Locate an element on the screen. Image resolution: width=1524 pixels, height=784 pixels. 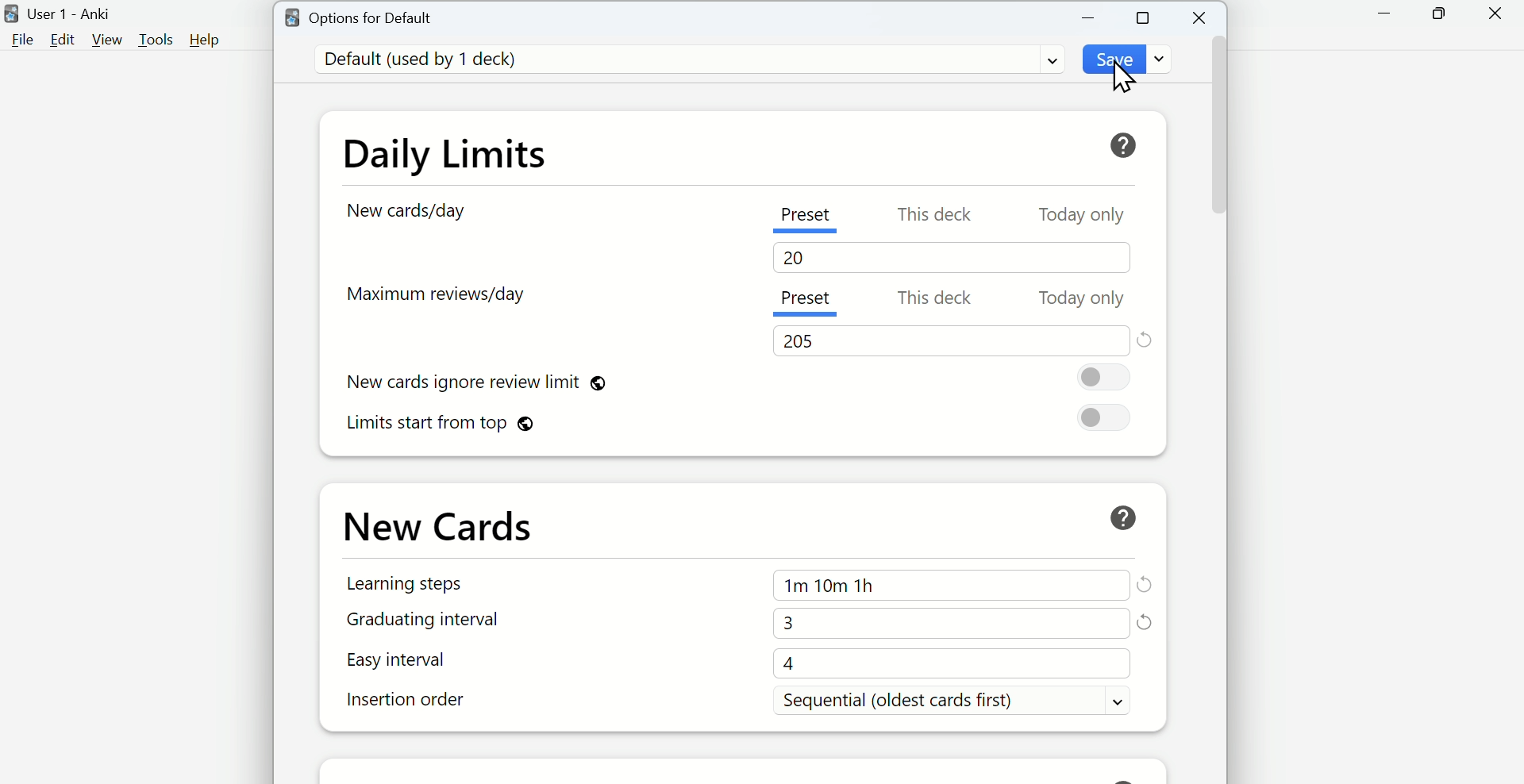
Graduating interval is located at coordinates (421, 621).